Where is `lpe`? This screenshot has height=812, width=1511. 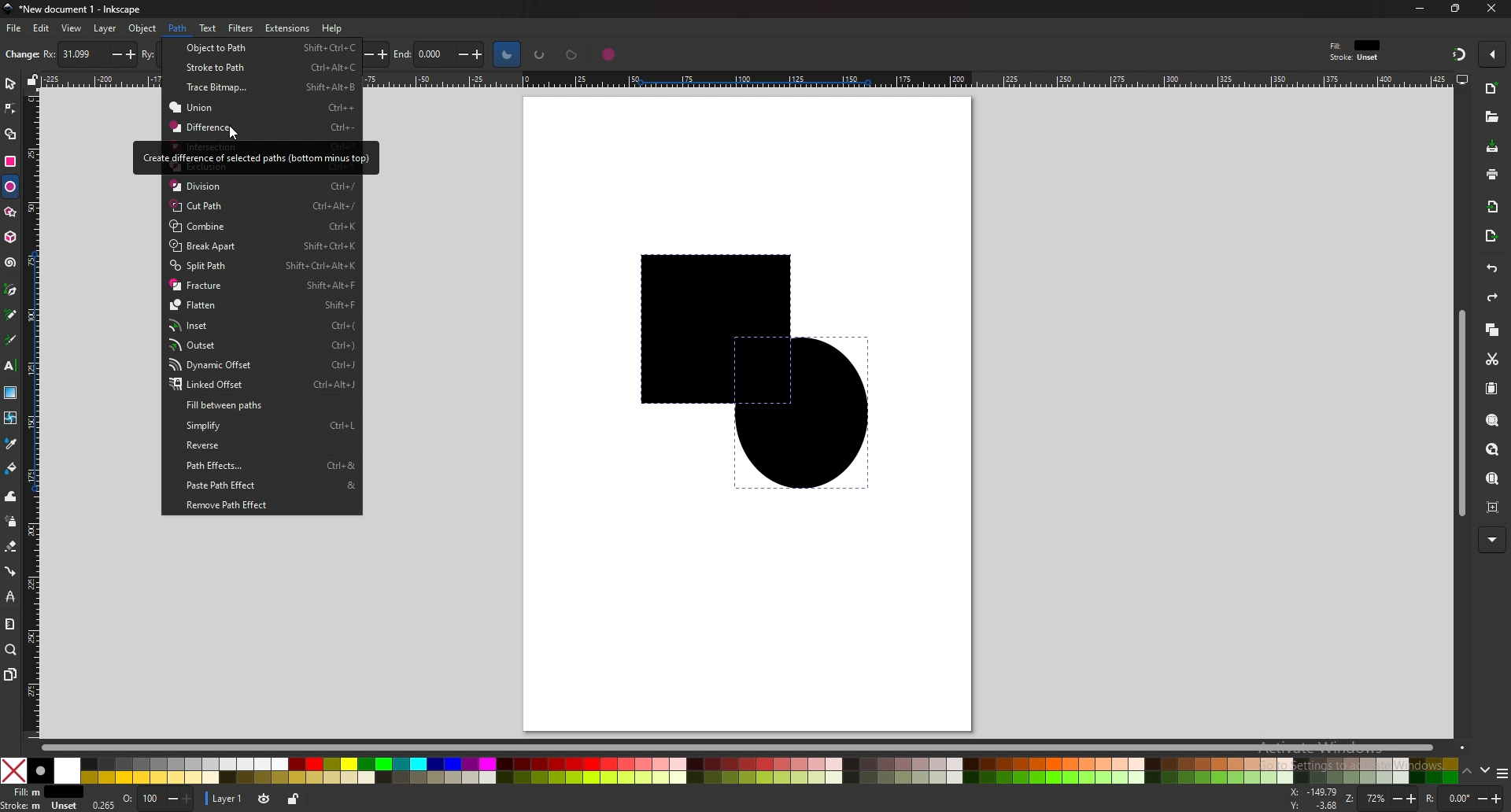
lpe is located at coordinates (11, 596).